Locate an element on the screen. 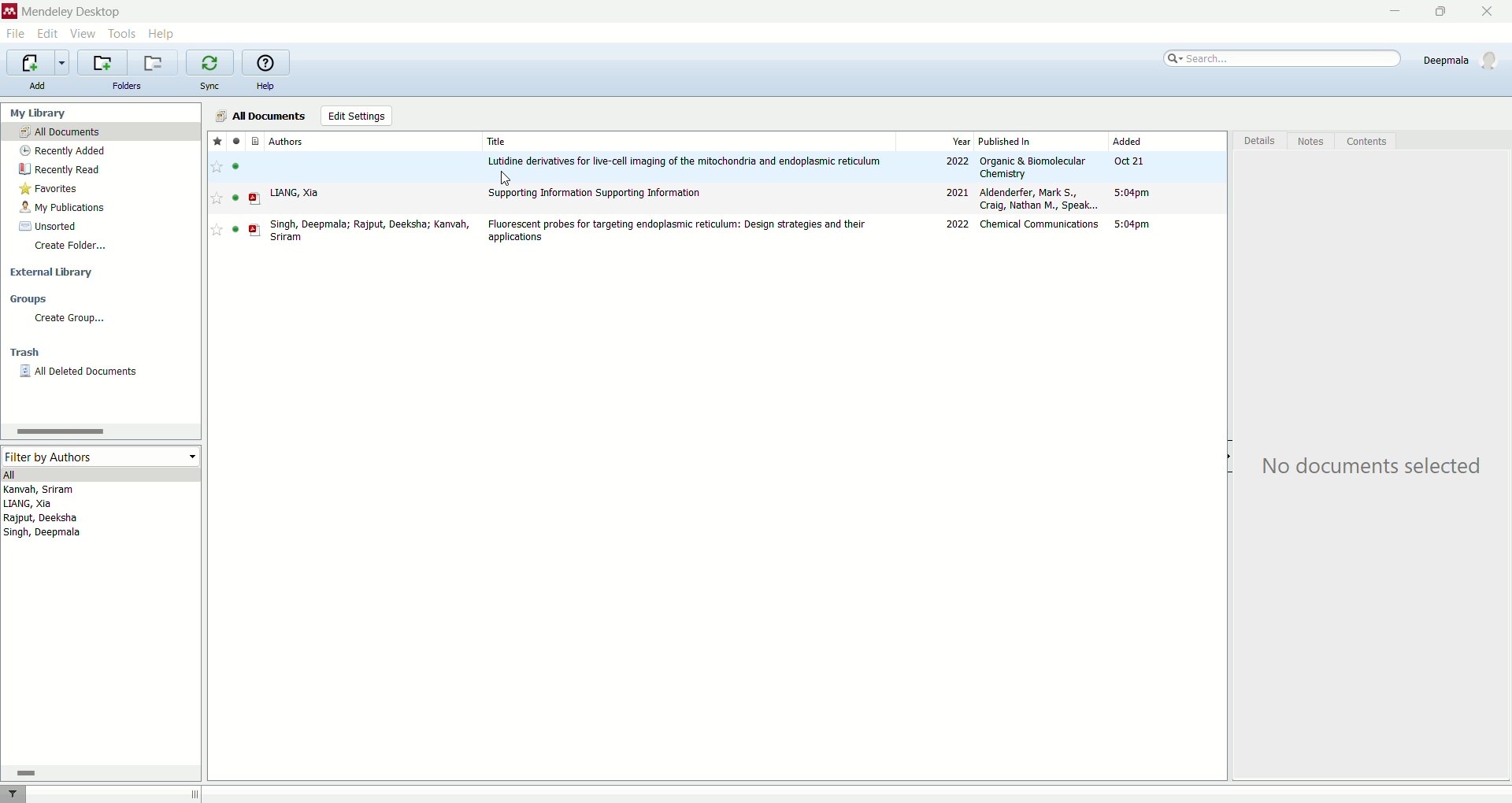 This screenshot has width=1512, height=803. search is located at coordinates (1275, 60).